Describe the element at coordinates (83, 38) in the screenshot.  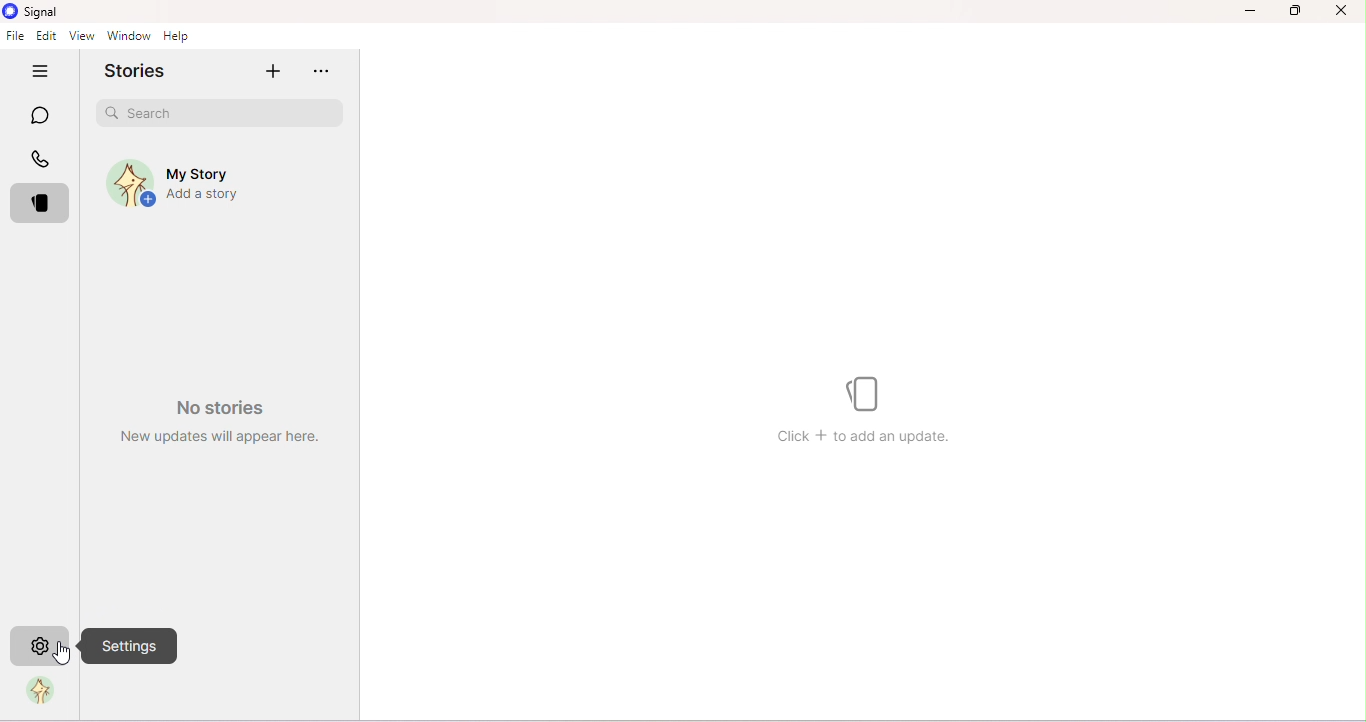
I see `View` at that location.